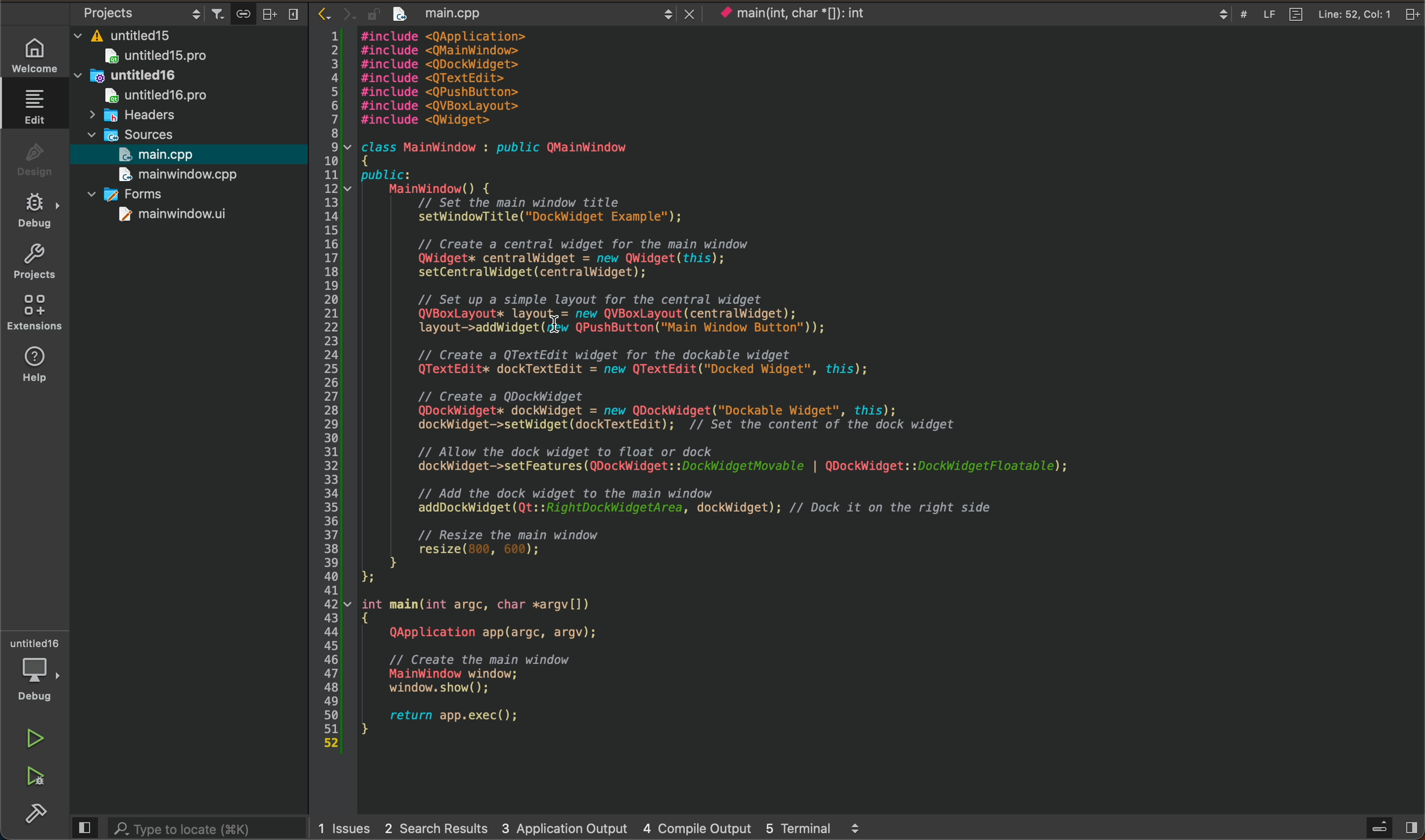  I want to click on main.cpp, so click(164, 153).